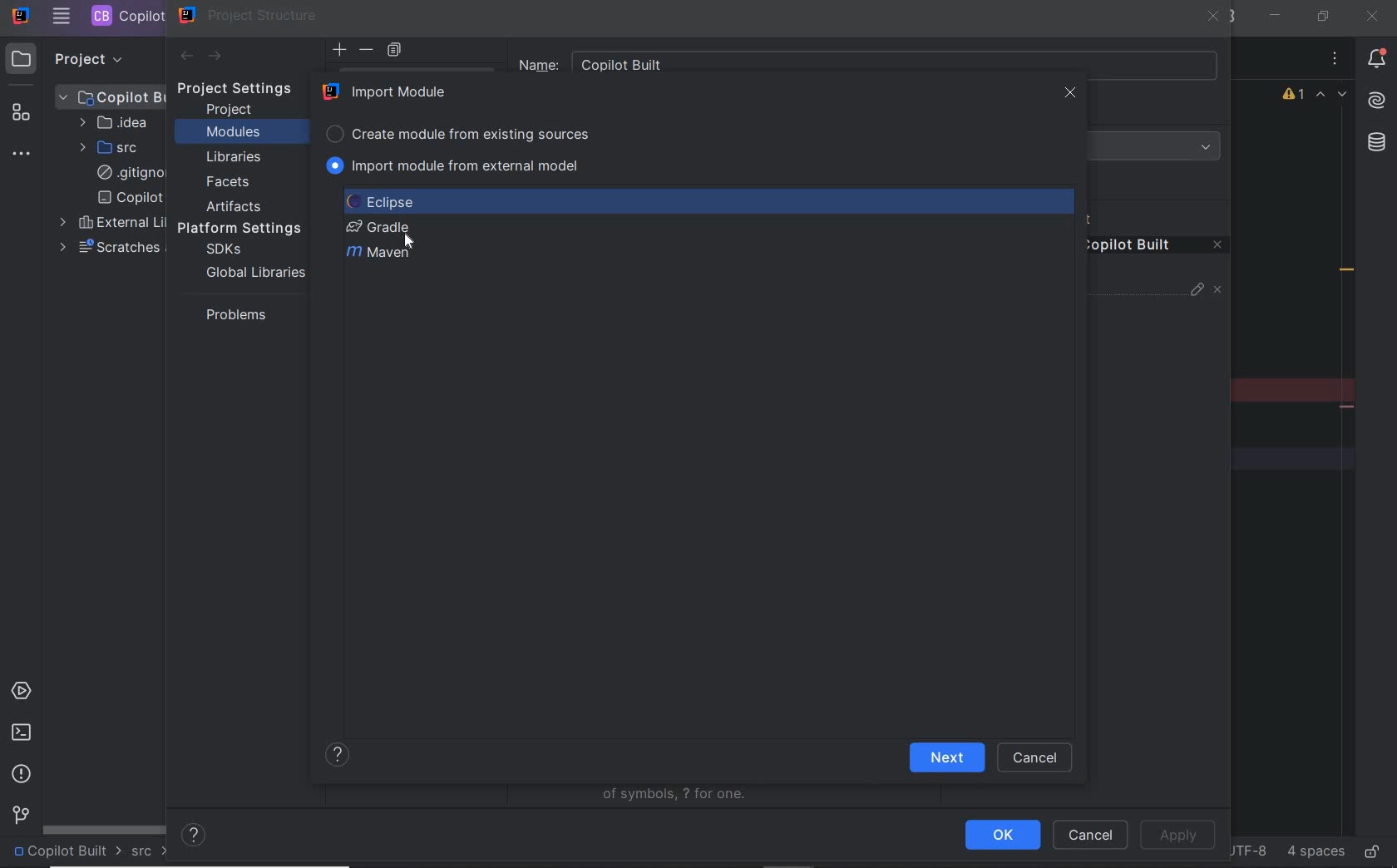 This screenshot has height=868, width=1397. I want to click on restore down, so click(1321, 16).